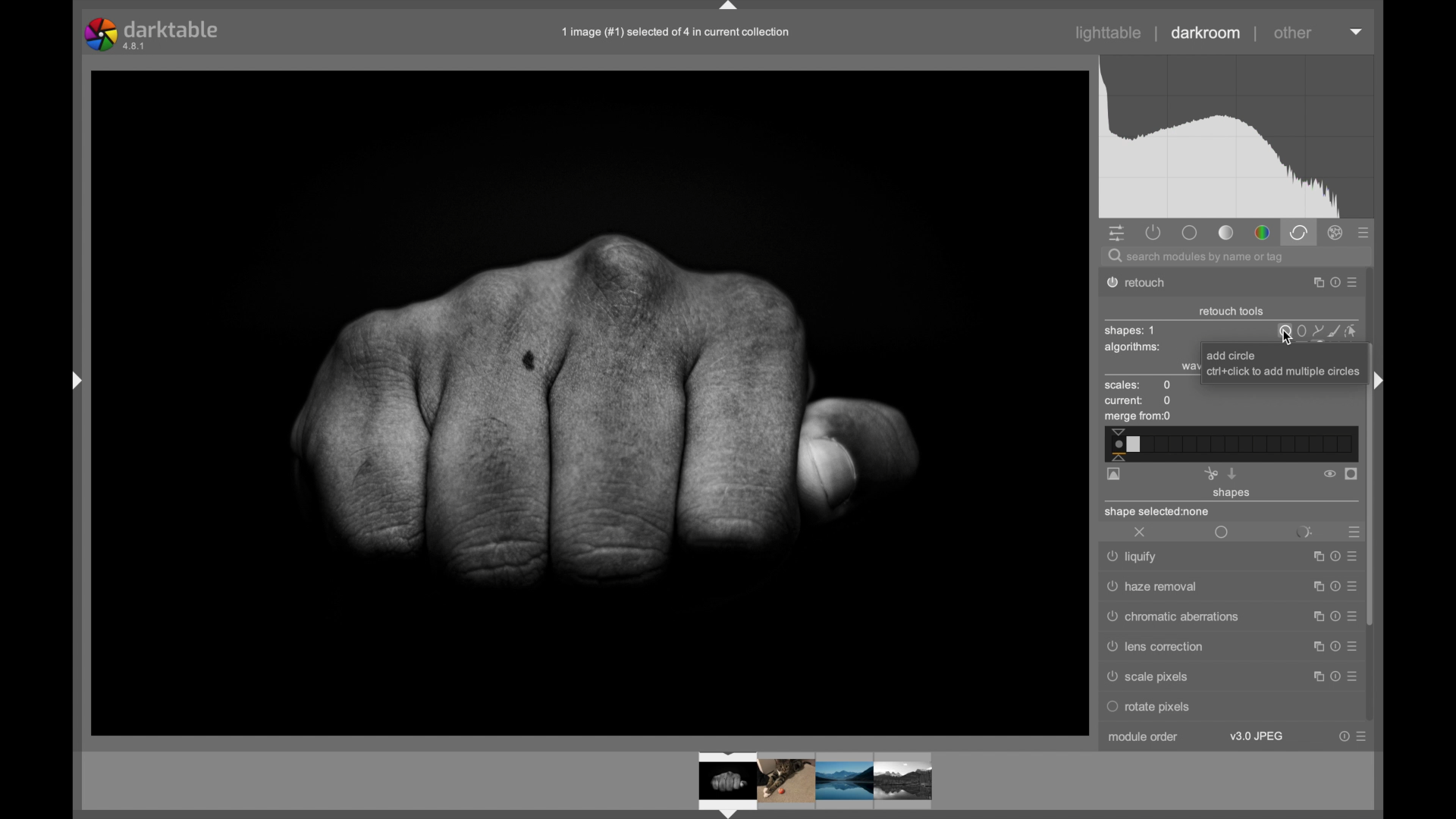 The image size is (1456, 819). I want to click on chromatic aberrations, so click(1170, 618).